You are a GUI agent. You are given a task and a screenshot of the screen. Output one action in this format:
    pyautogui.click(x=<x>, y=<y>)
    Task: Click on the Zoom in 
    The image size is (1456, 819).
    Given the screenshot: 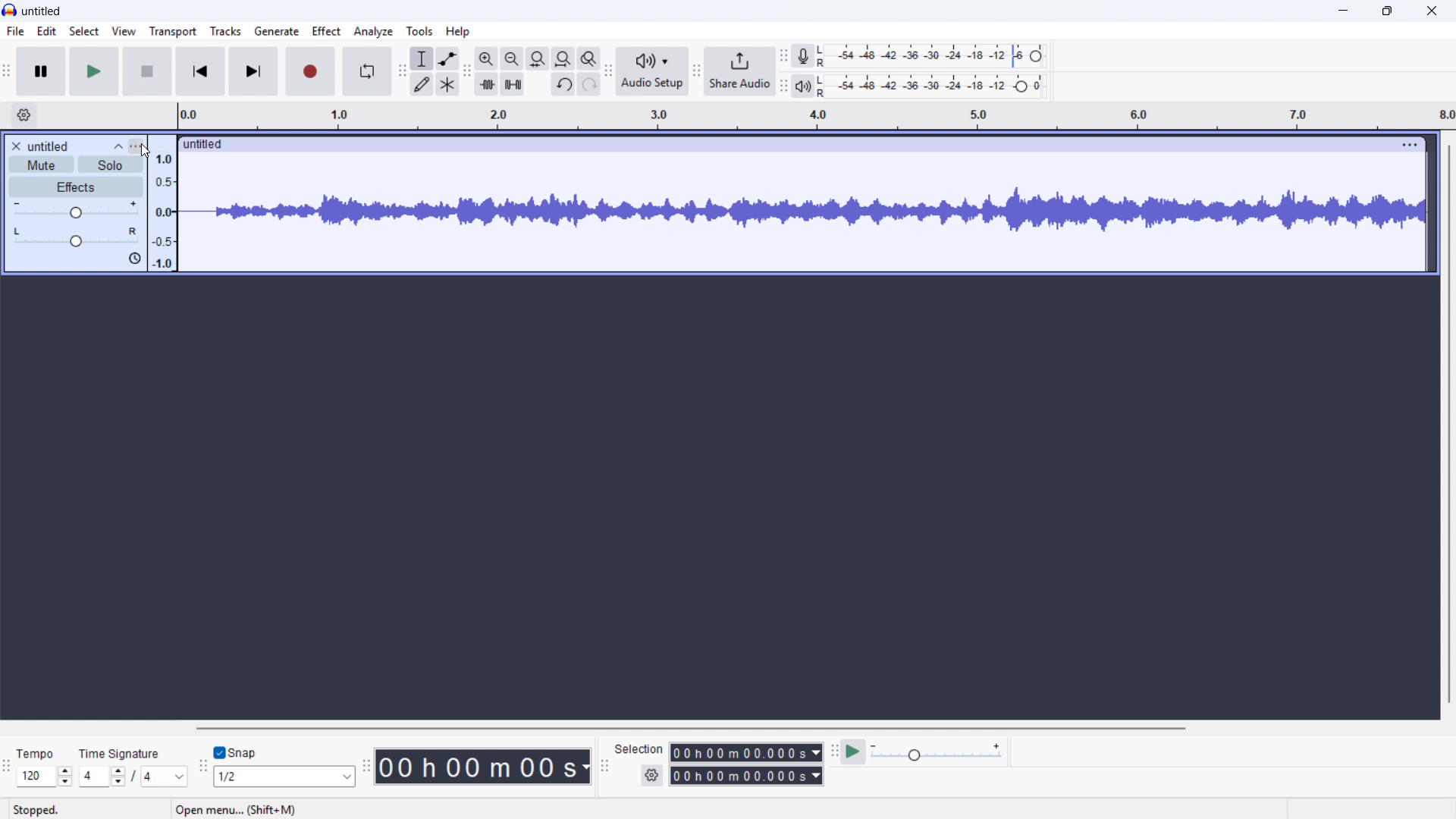 What is the action you would take?
    pyautogui.click(x=487, y=58)
    